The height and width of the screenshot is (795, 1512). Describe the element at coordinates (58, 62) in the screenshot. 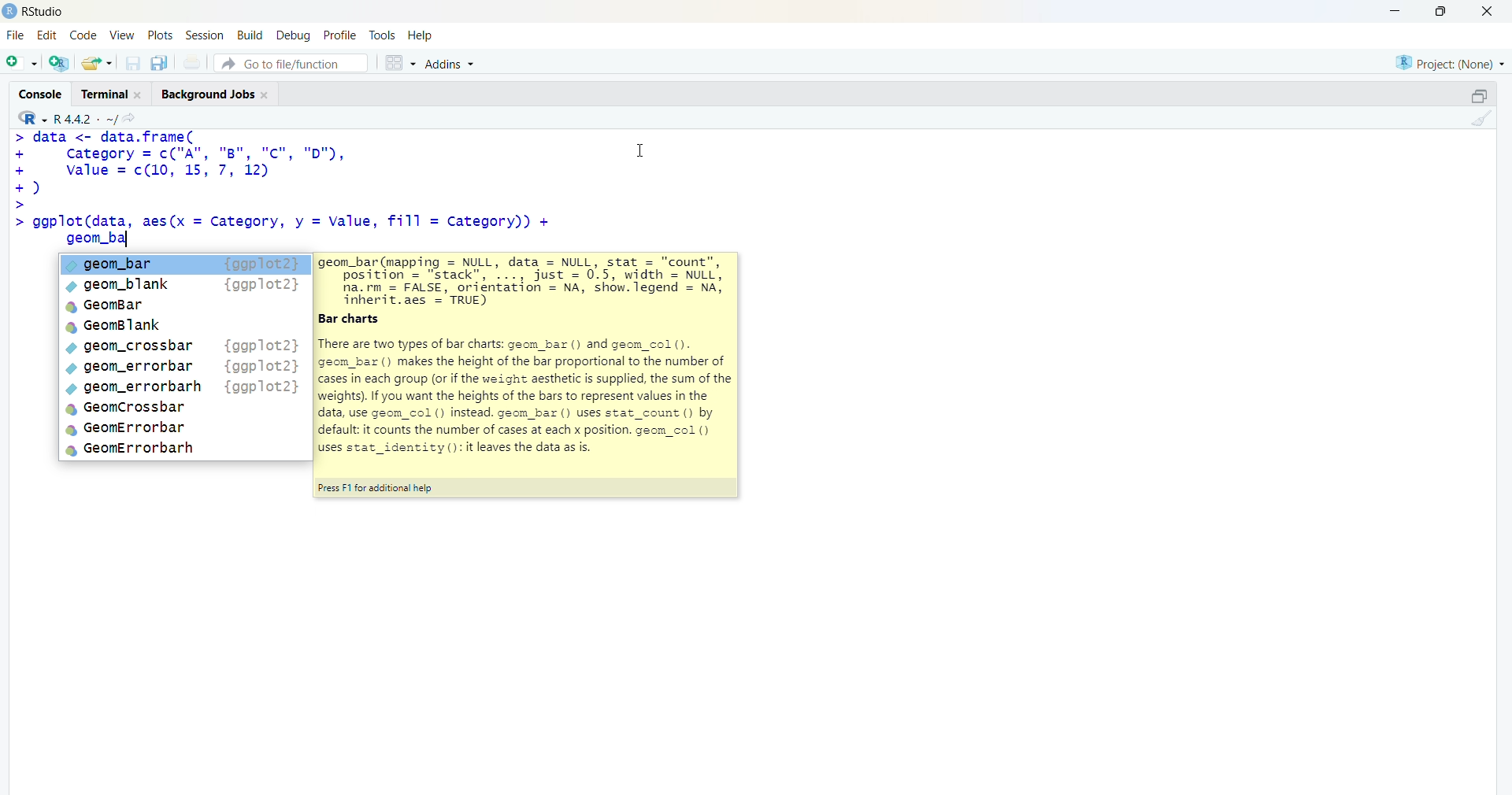

I see `create a project` at that location.